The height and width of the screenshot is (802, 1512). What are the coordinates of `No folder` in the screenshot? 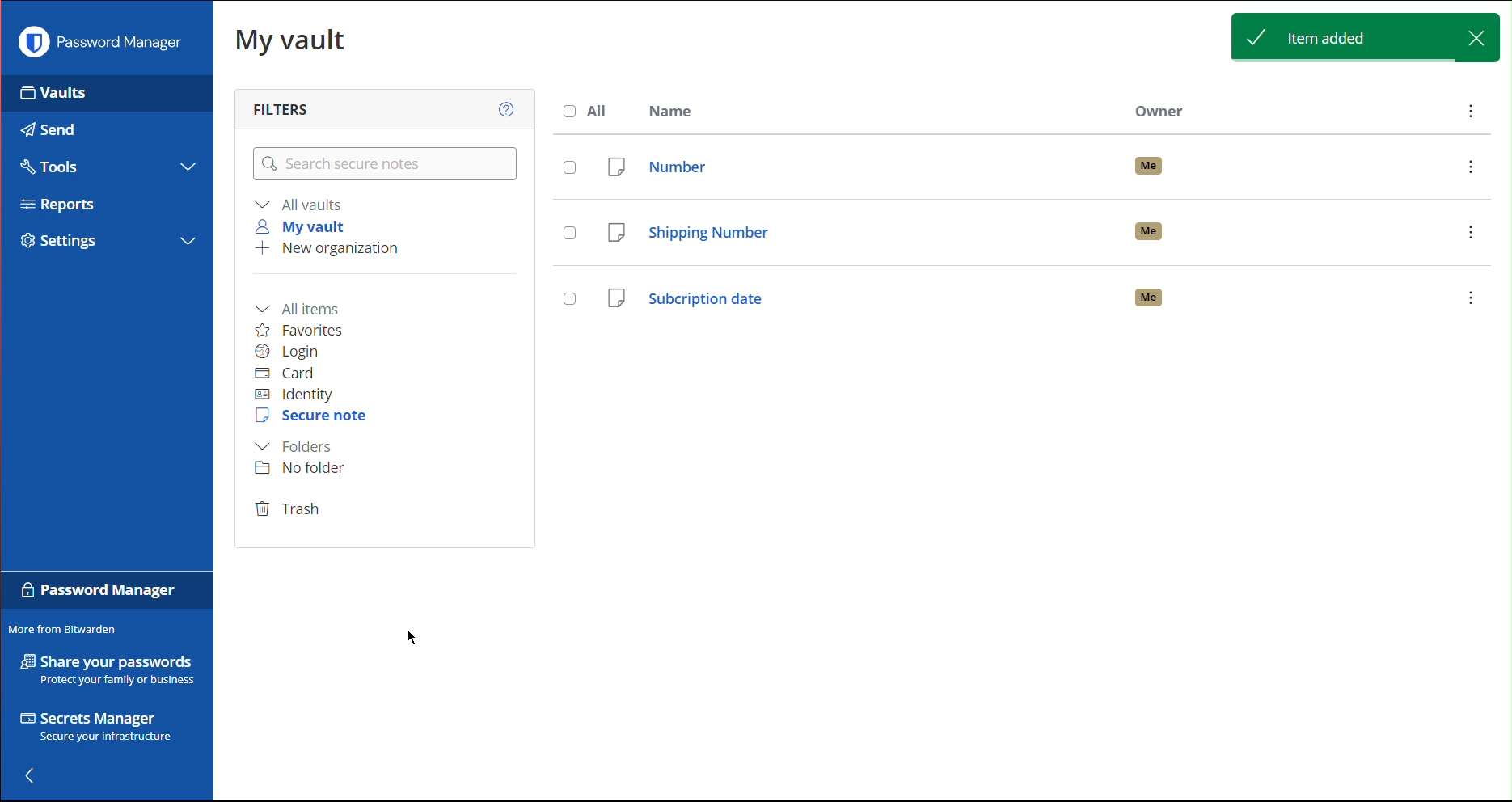 It's located at (306, 471).